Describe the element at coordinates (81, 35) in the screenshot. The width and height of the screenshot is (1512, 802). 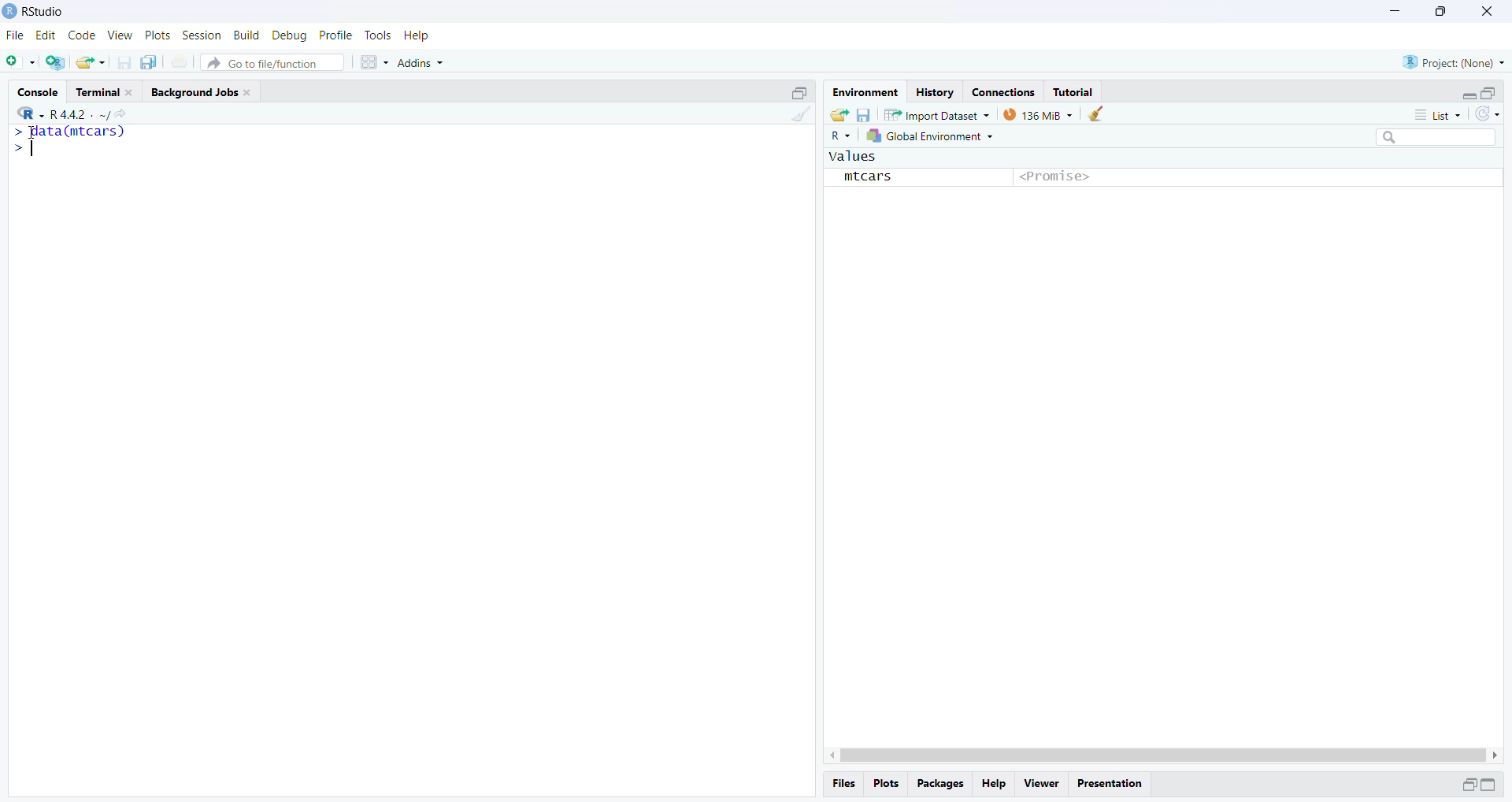
I see `Code` at that location.